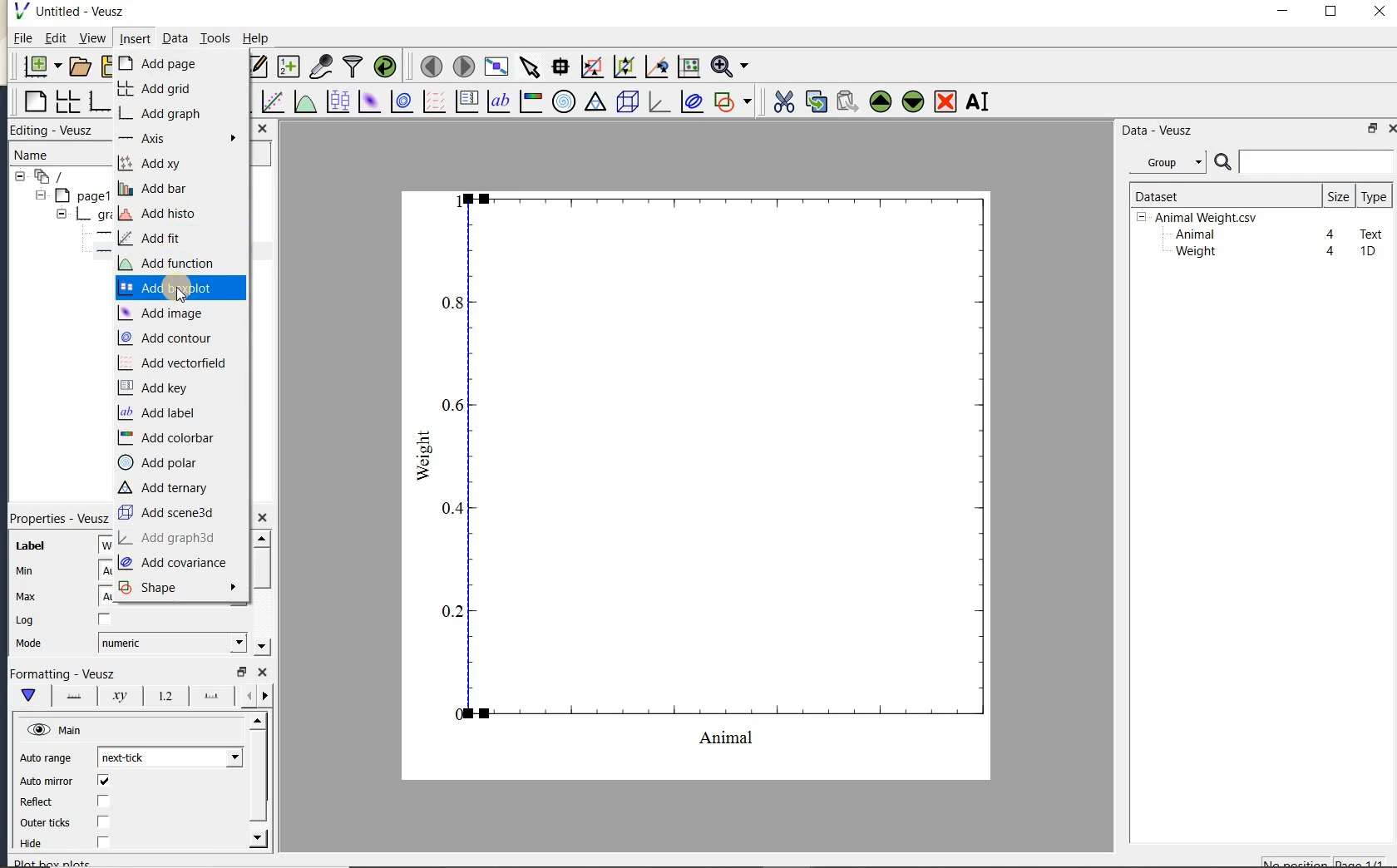 This screenshot has width=1397, height=868. Describe the element at coordinates (176, 565) in the screenshot. I see `add covariance` at that location.